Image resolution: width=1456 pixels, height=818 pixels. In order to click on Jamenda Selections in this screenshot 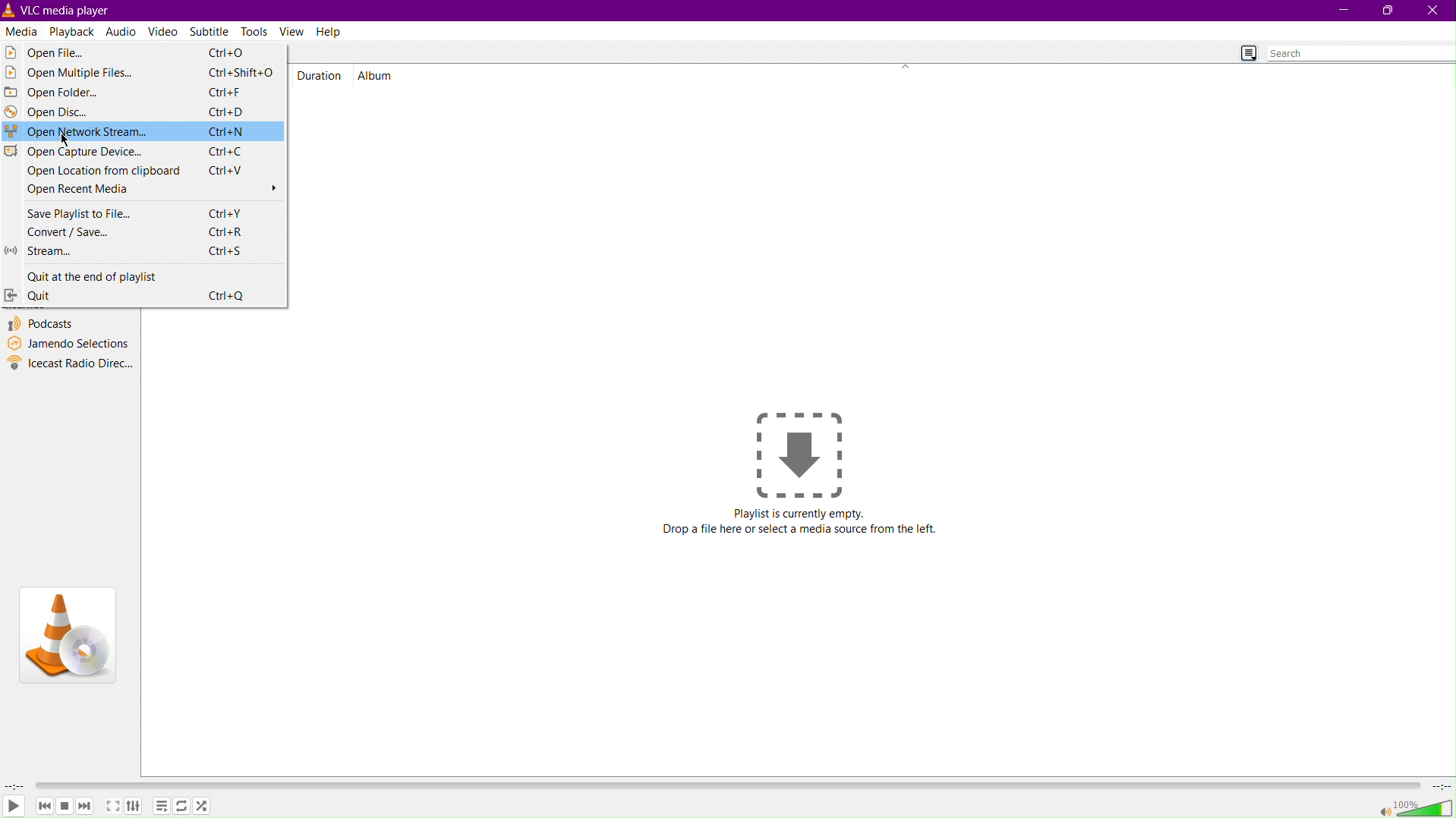, I will do `click(68, 343)`.